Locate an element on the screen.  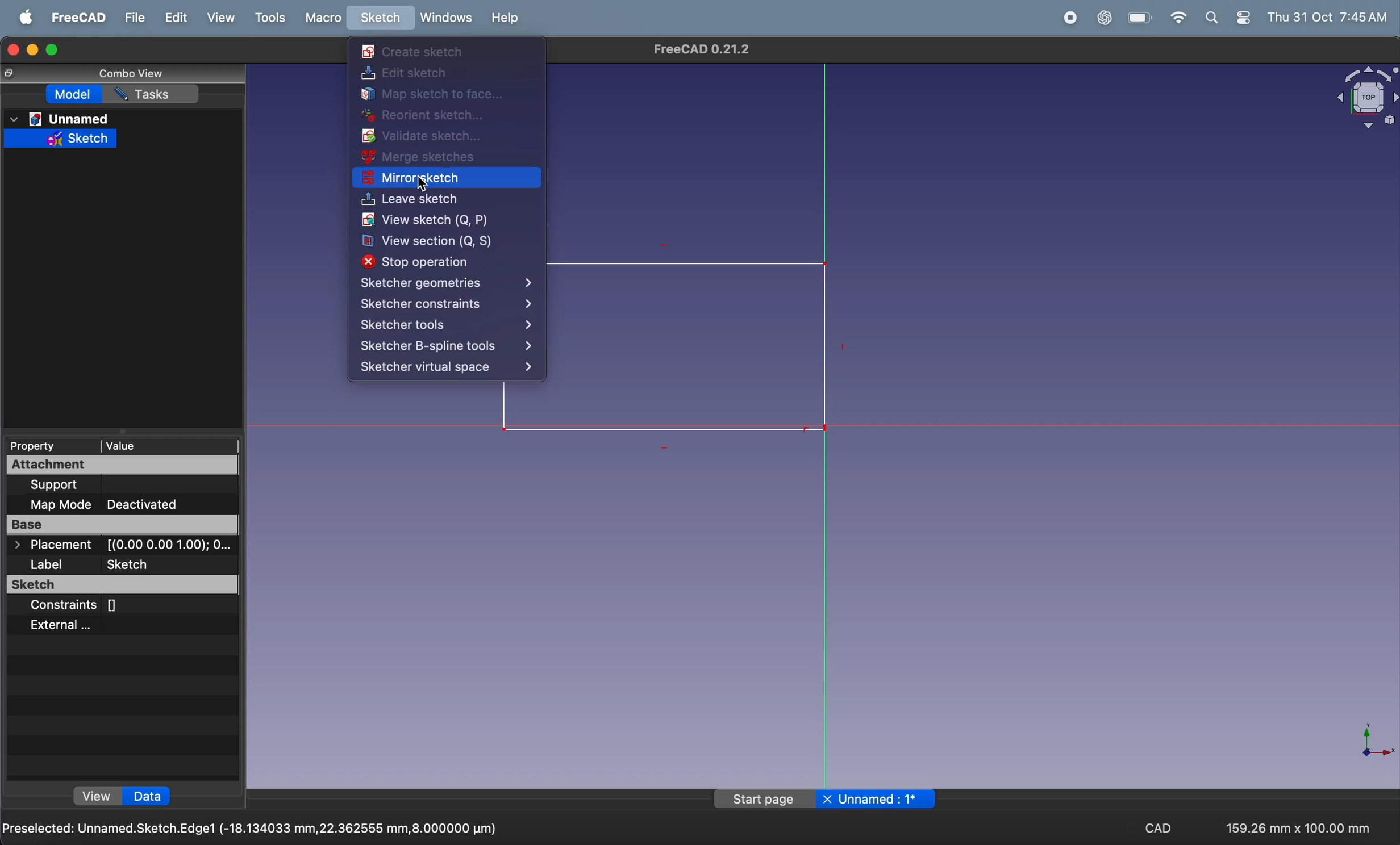
159.26 * 100.00mm is located at coordinates (1301, 823).